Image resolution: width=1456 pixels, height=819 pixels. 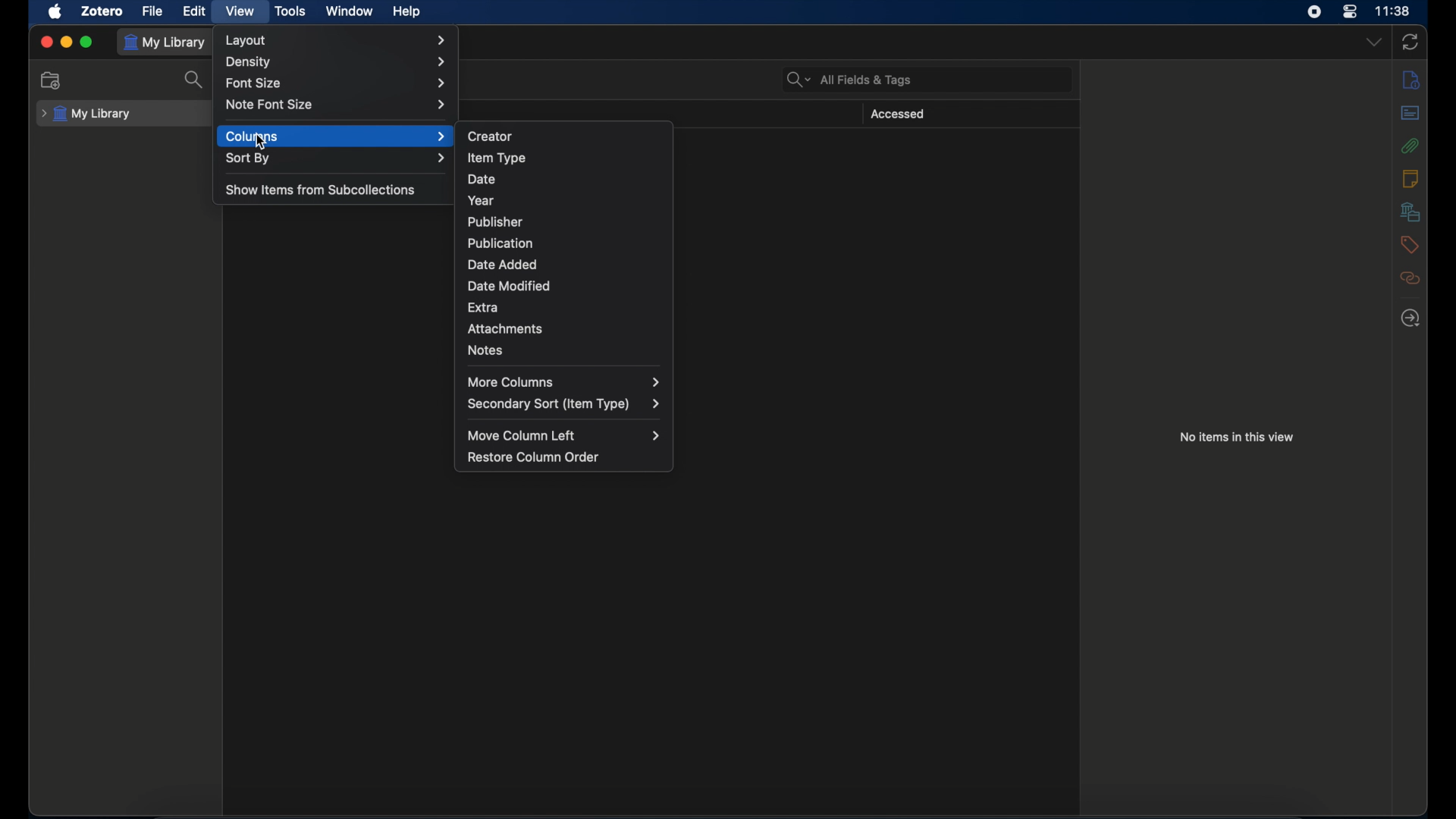 What do you see at coordinates (1314, 12) in the screenshot?
I see `screen recorder` at bounding box center [1314, 12].